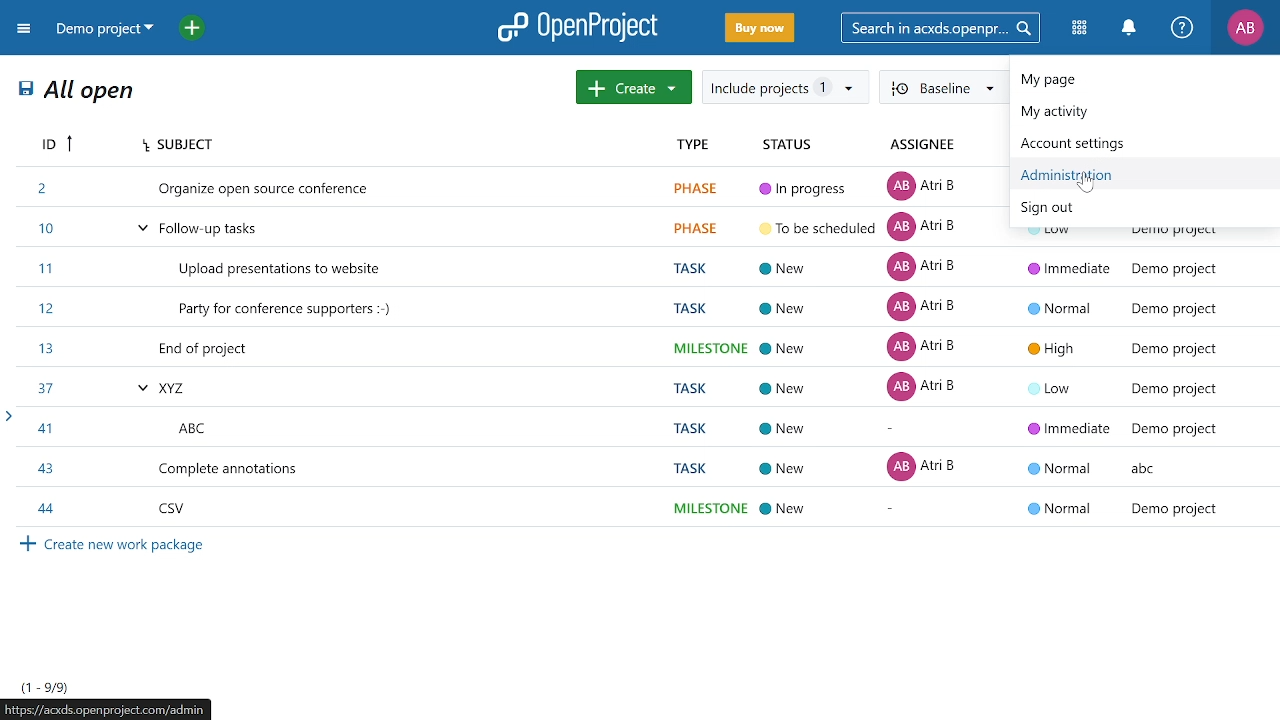 The height and width of the screenshot is (720, 1280). Describe the element at coordinates (1245, 29) in the screenshot. I see `current account "AB"` at that location.